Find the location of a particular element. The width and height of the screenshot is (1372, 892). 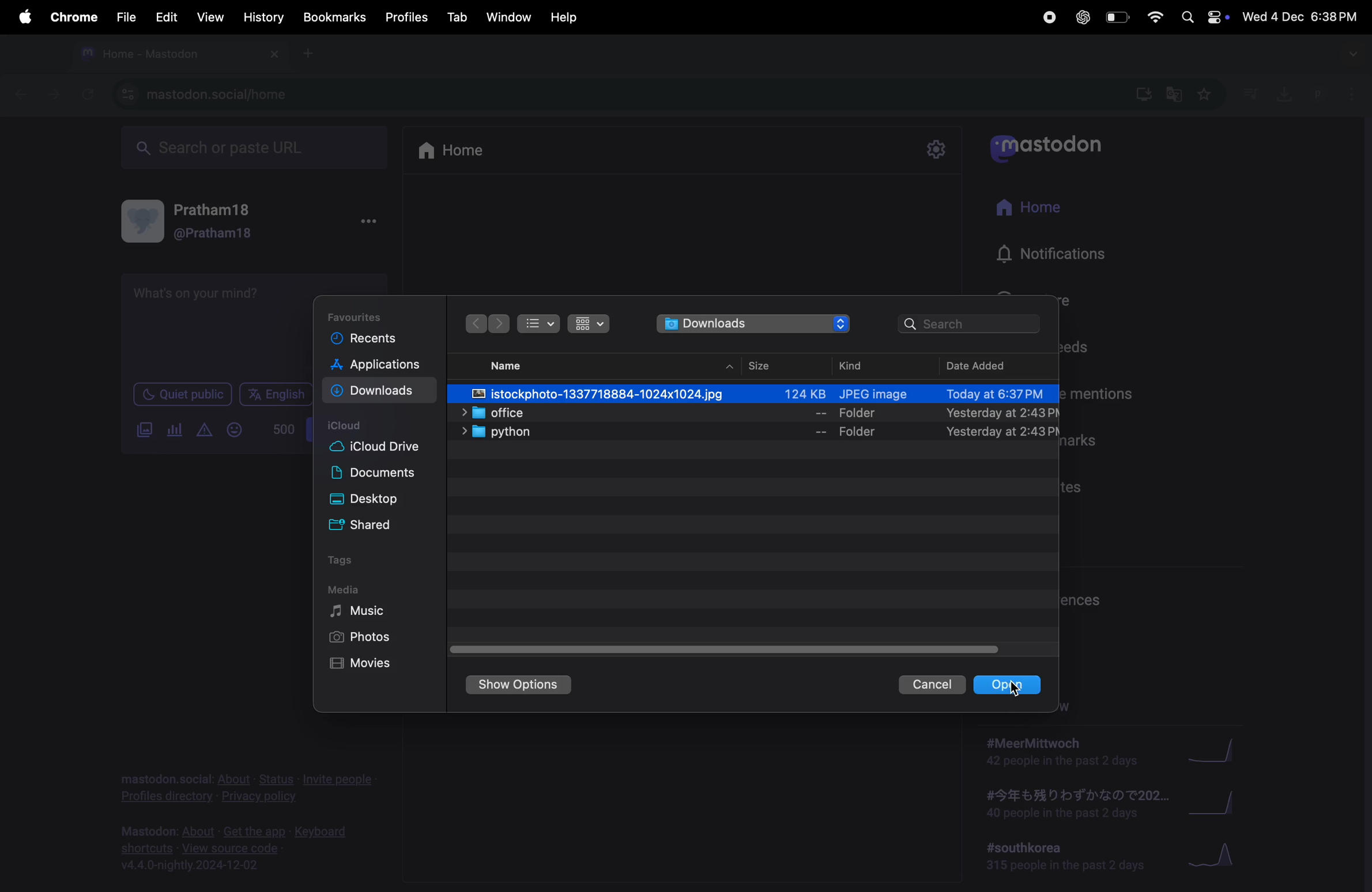

alert is located at coordinates (203, 429).